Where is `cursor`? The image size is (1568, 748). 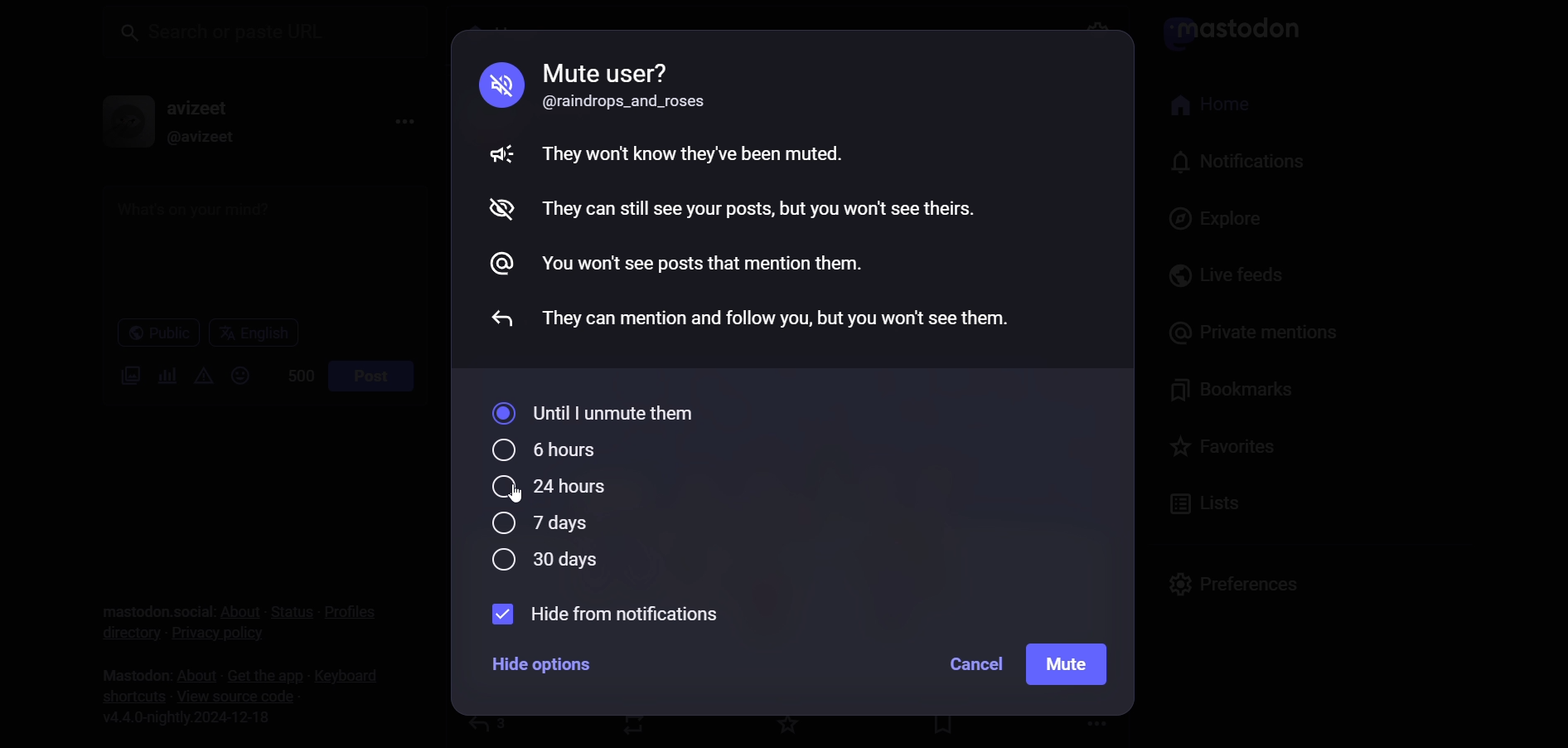 cursor is located at coordinates (520, 497).